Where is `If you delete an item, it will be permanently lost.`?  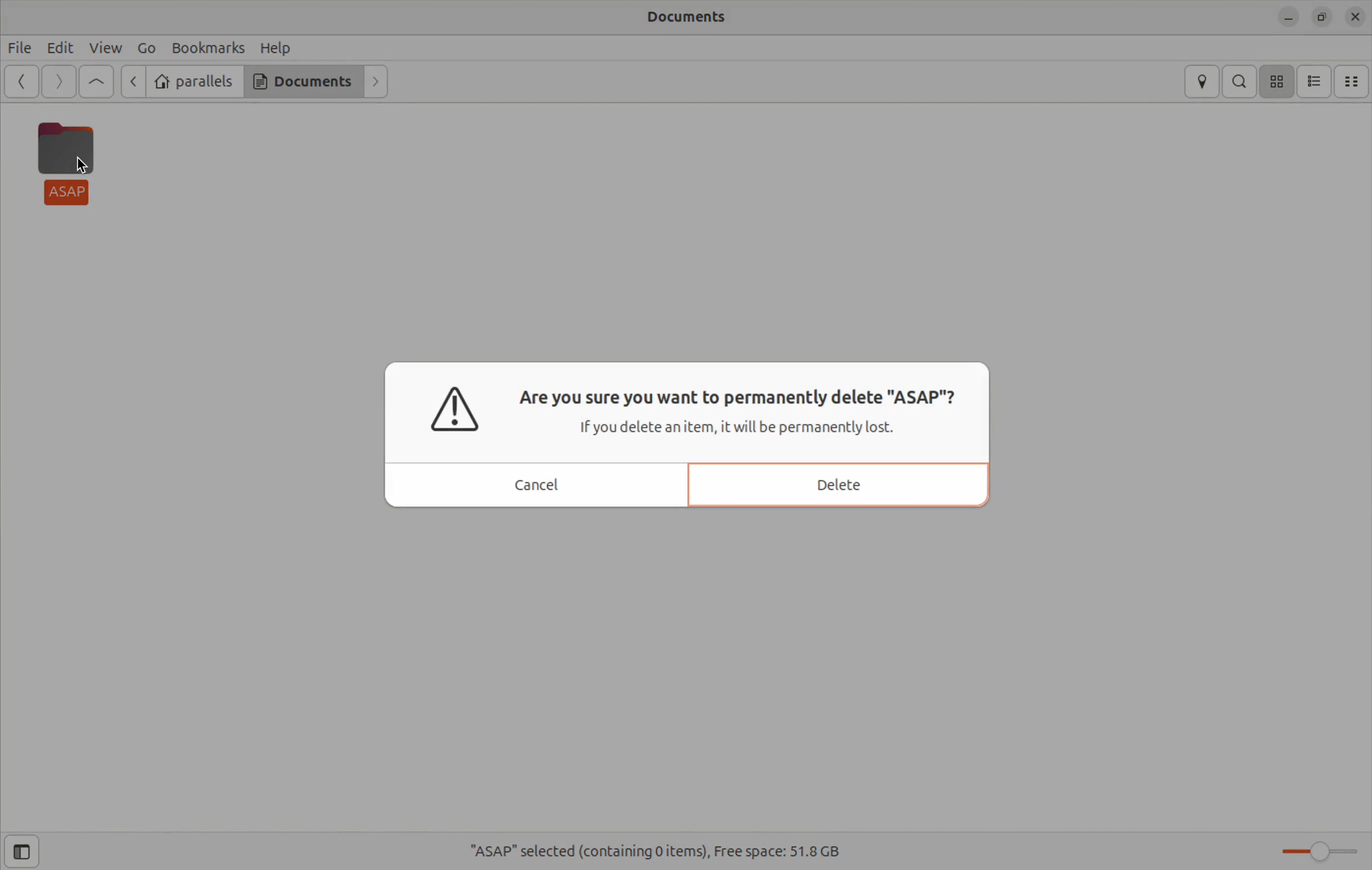
If you delete an item, it will be permanently lost. is located at coordinates (745, 429).